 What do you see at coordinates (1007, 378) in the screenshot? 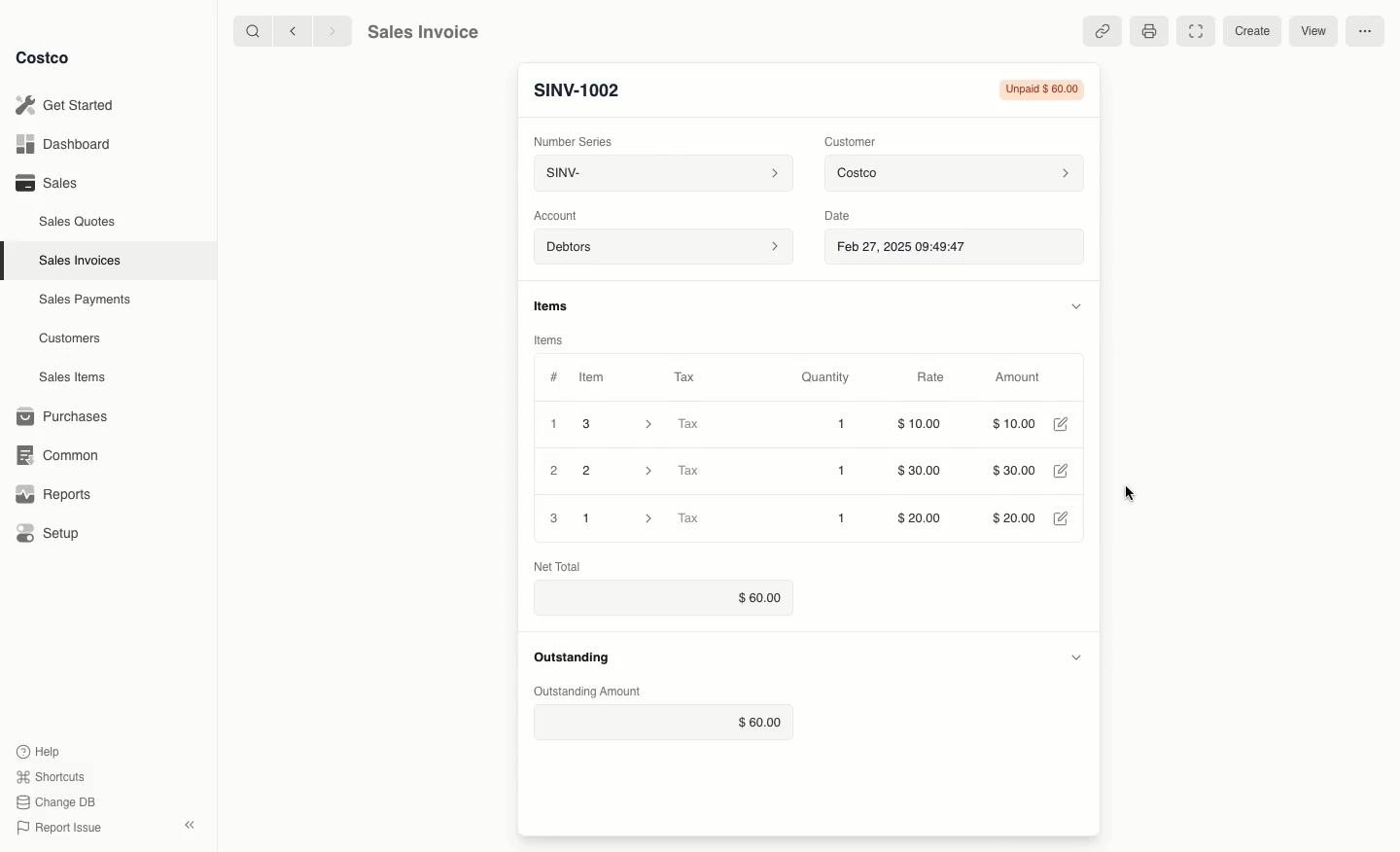
I see `Amount` at bounding box center [1007, 378].